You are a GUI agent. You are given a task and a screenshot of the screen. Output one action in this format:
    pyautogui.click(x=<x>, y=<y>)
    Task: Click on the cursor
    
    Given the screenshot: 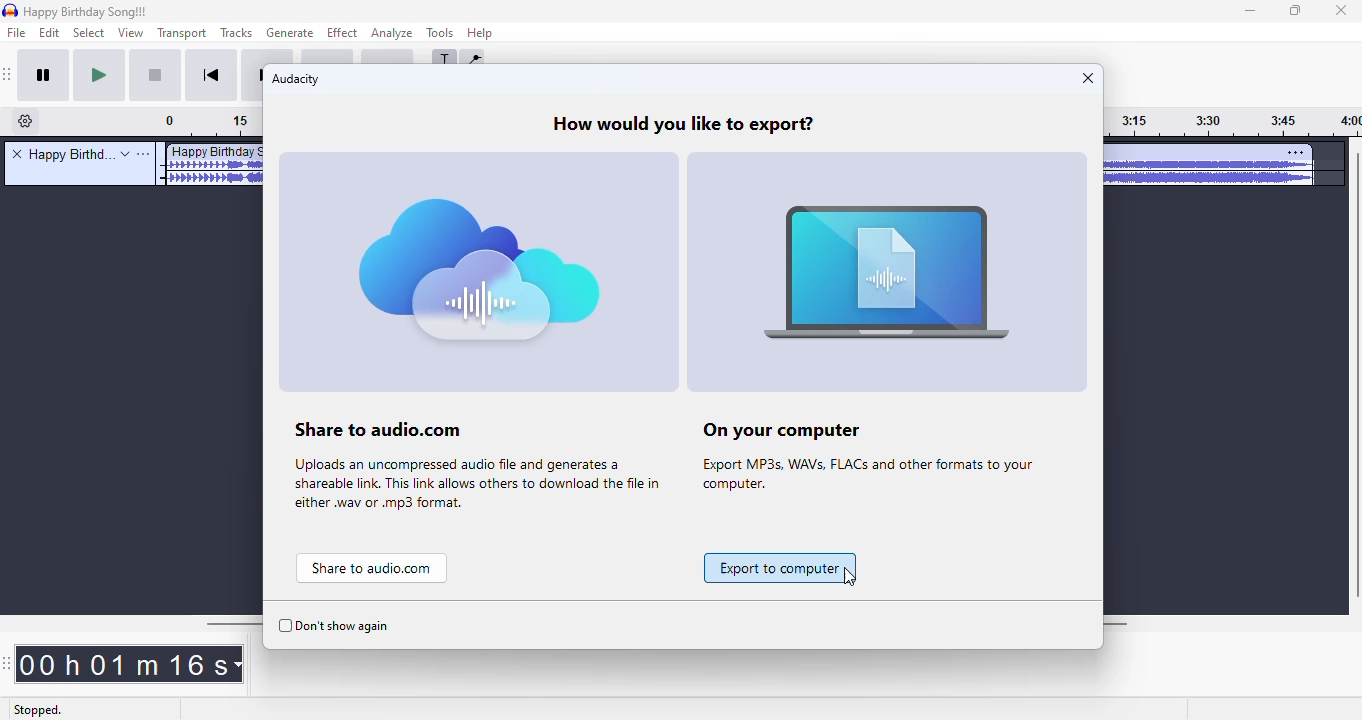 What is the action you would take?
    pyautogui.click(x=850, y=578)
    